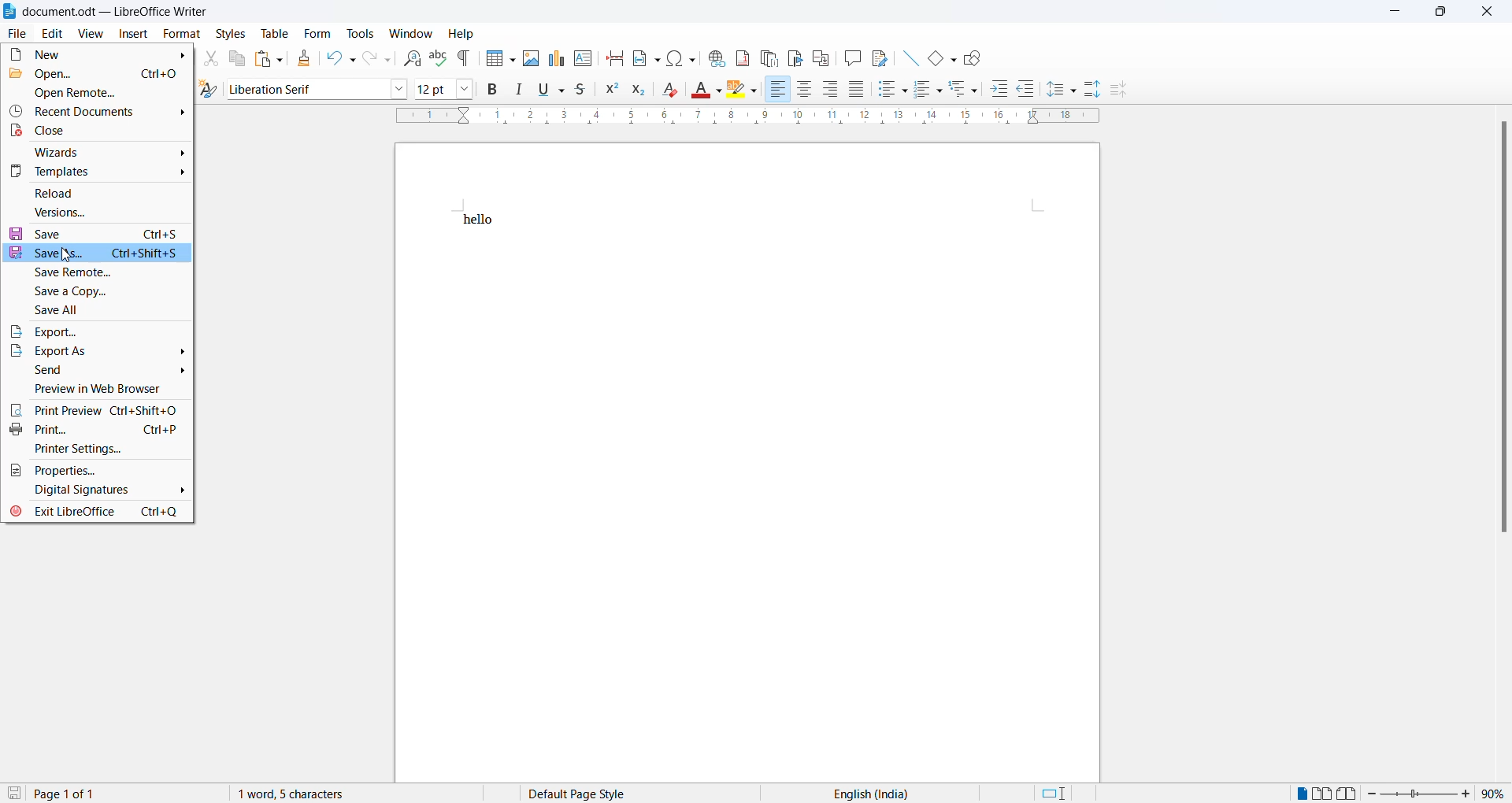 Image resolution: width=1512 pixels, height=803 pixels. What do you see at coordinates (412, 33) in the screenshot?
I see `Window` at bounding box center [412, 33].